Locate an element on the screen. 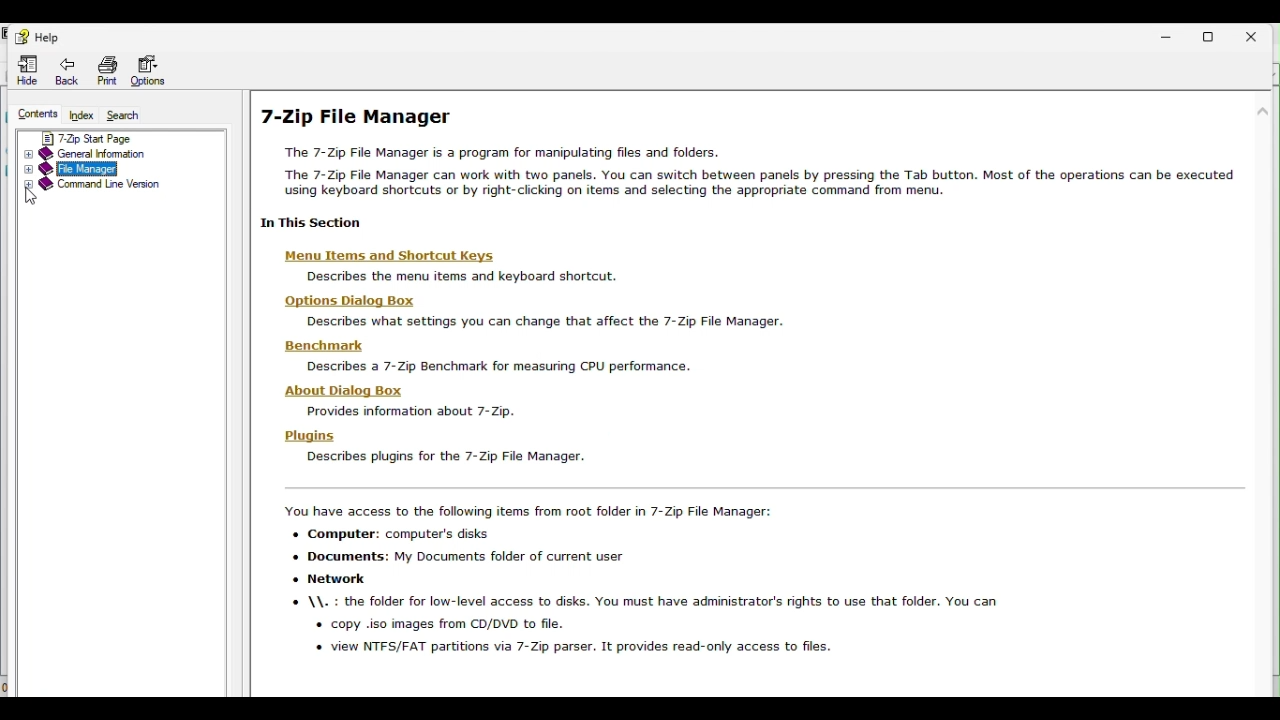 This screenshot has width=1280, height=720. Index is located at coordinates (83, 111).